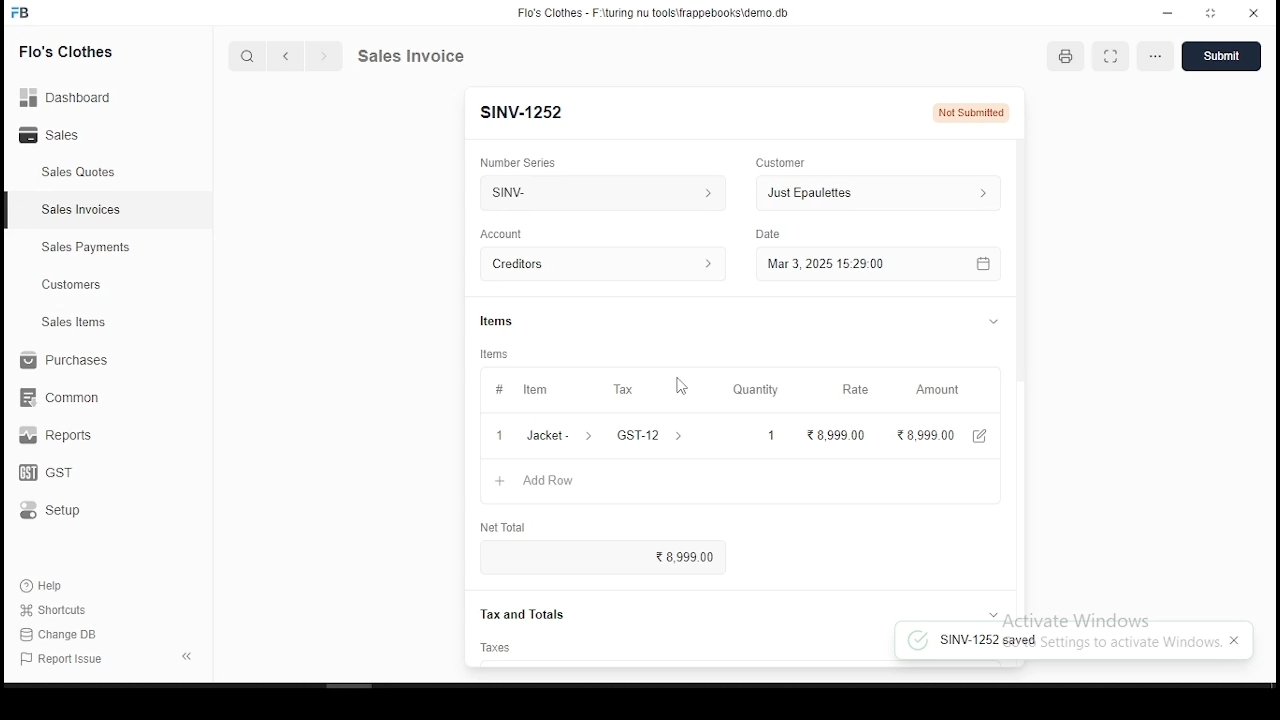  What do you see at coordinates (511, 316) in the screenshot?
I see `items` at bounding box center [511, 316].